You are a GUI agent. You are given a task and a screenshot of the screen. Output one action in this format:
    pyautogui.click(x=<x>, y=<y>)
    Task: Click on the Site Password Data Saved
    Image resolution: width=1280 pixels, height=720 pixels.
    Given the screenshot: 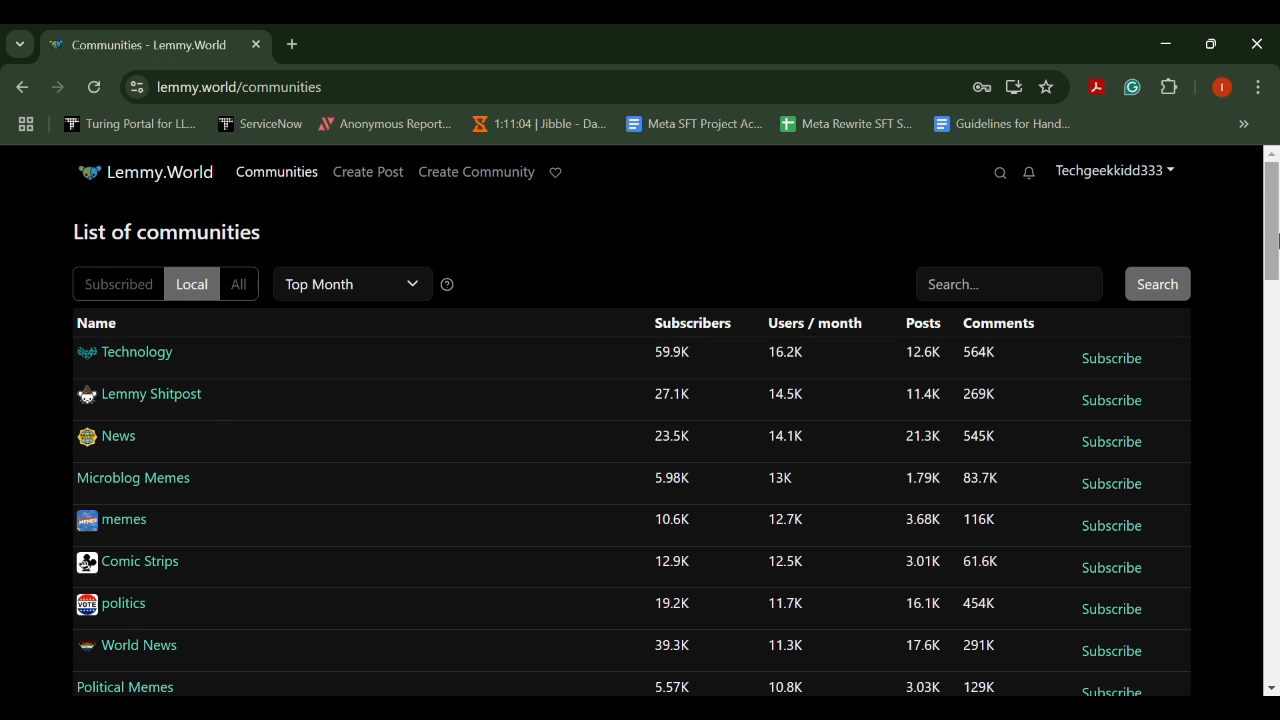 What is the action you would take?
    pyautogui.click(x=982, y=88)
    